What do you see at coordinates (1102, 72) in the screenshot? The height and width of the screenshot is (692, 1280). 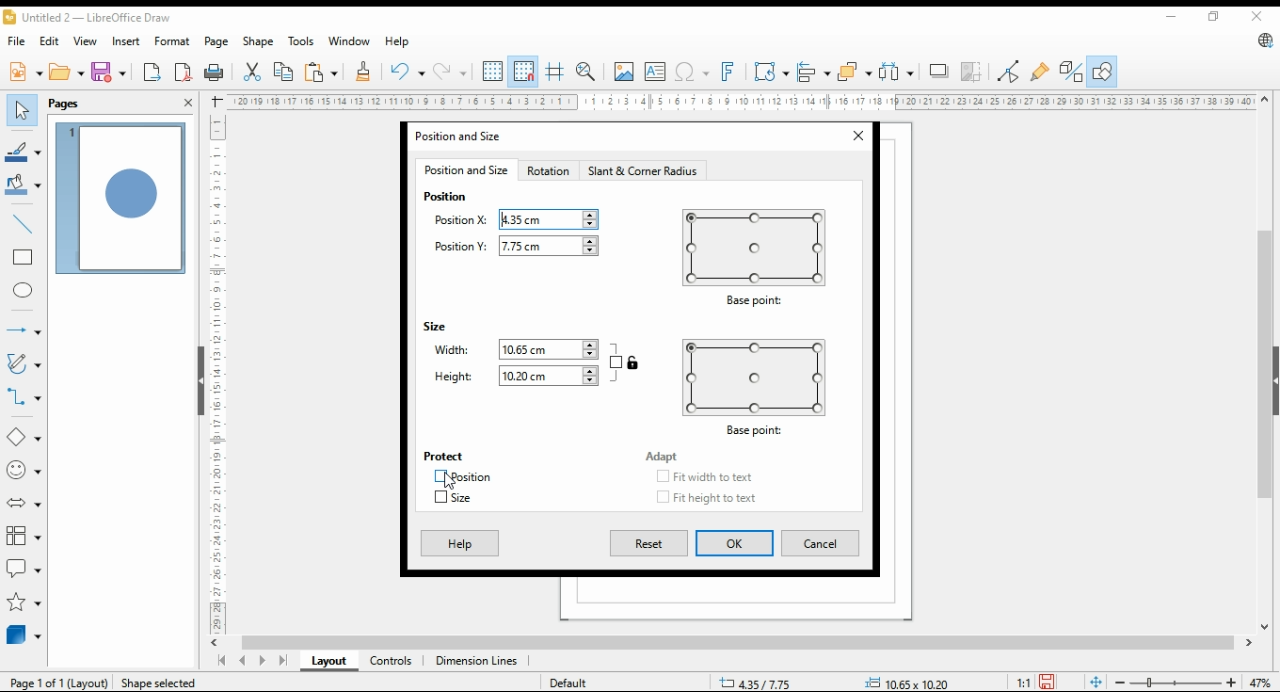 I see `show draw functions` at bounding box center [1102, 72].